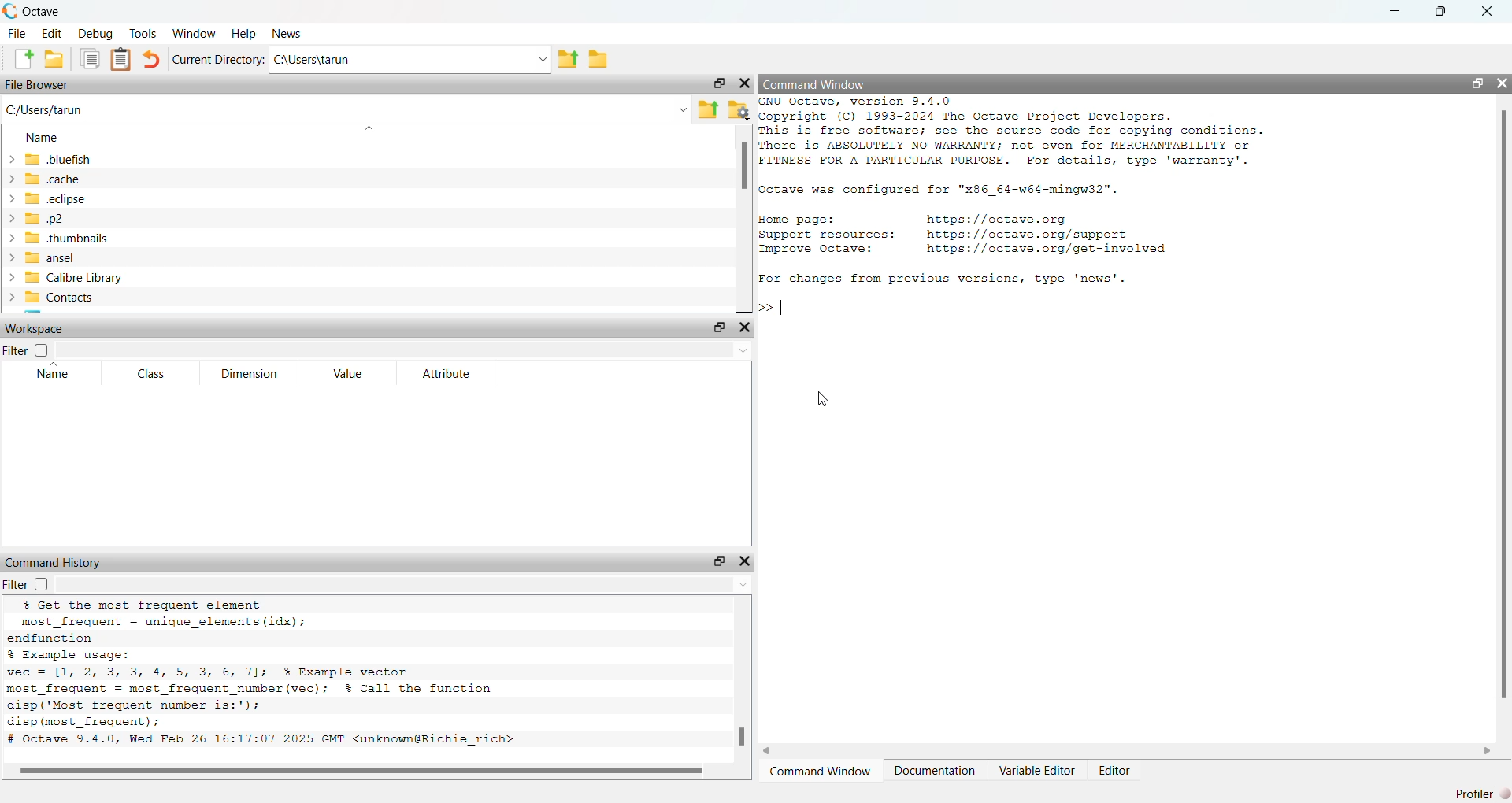  Describe the element at coordinates (11, 159) in the screenshot. I see `expand/collapse` at that location.